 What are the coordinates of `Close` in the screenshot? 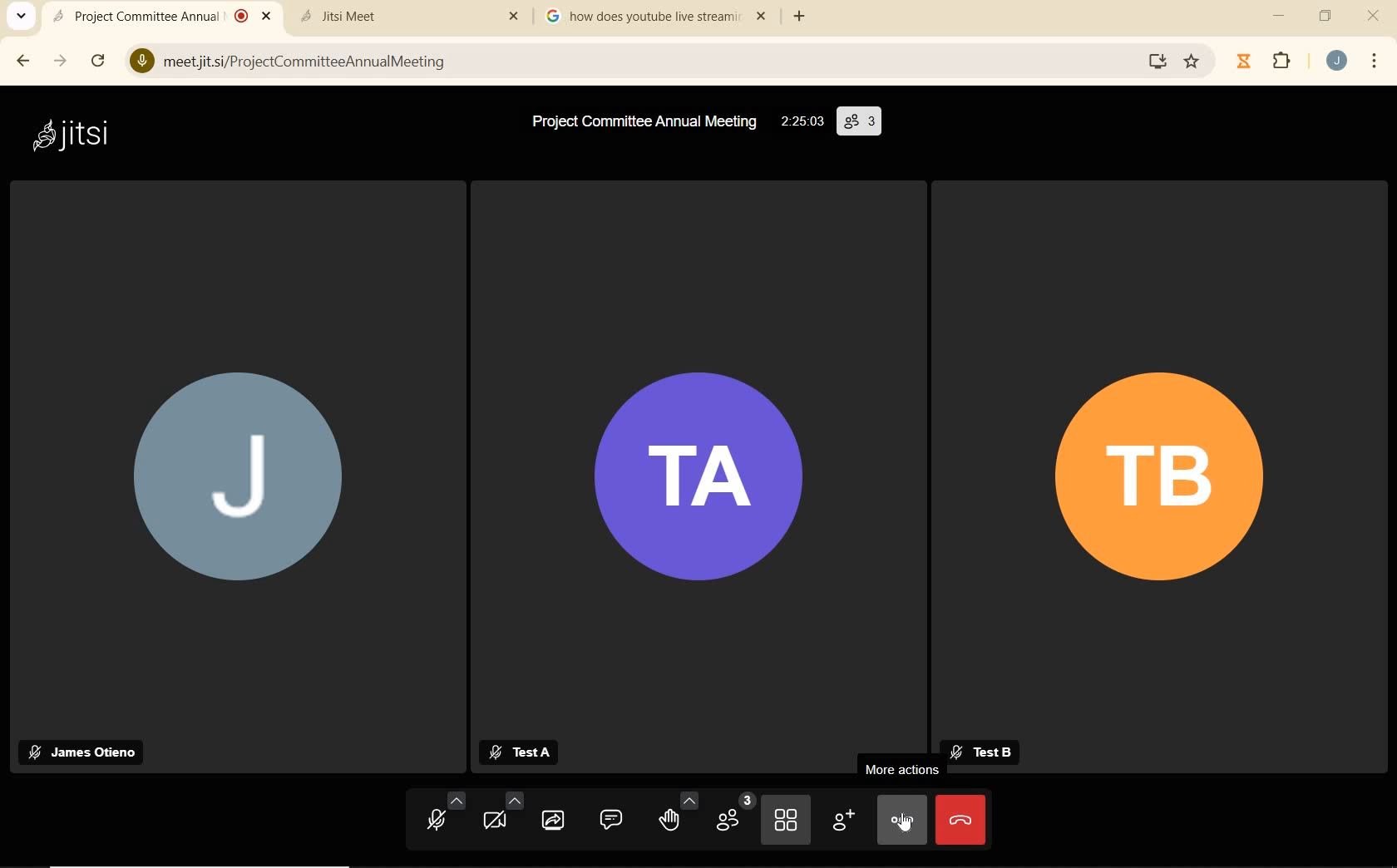 It's located at (269, 18).